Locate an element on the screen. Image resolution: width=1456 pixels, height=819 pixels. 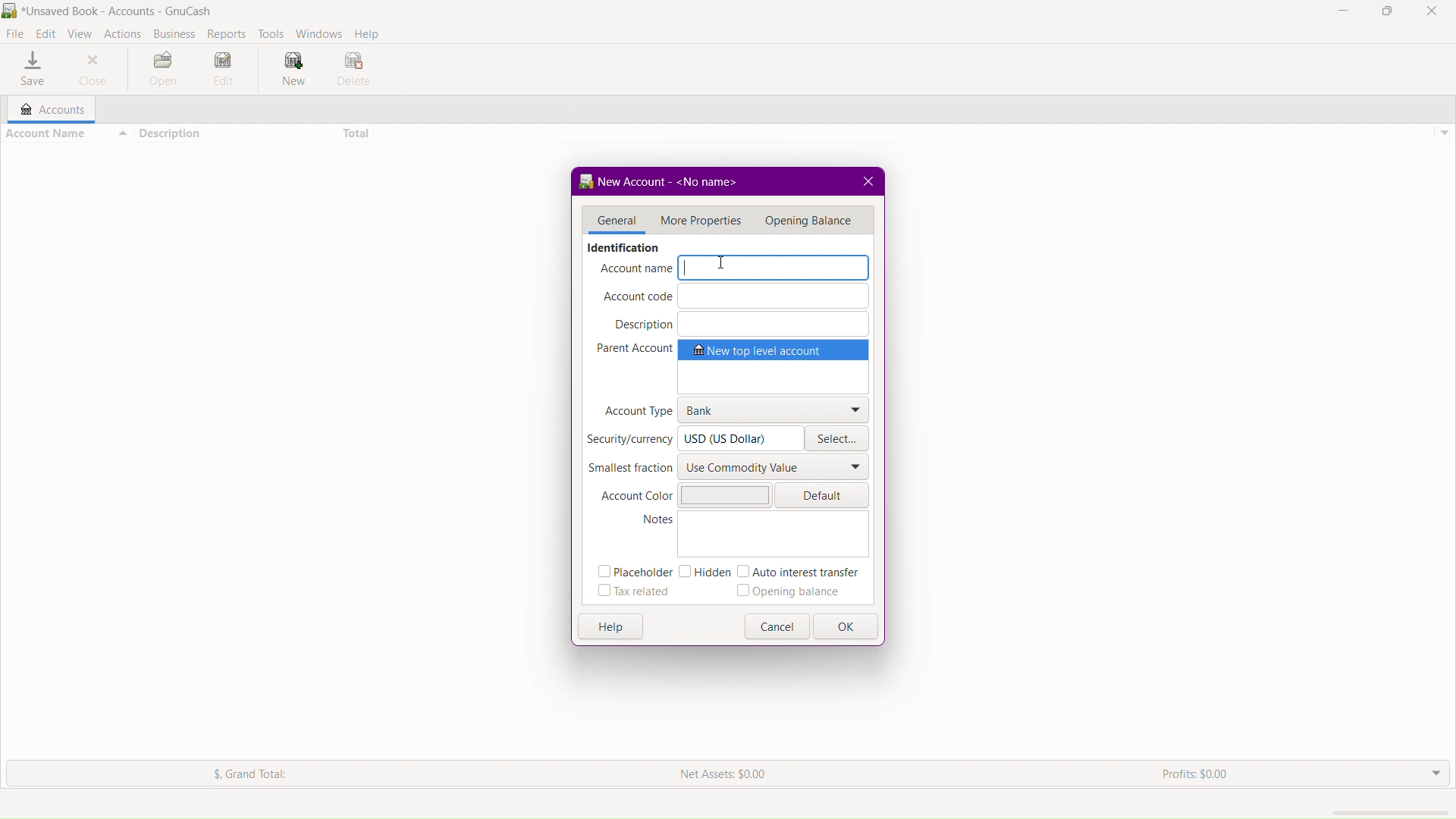
Notes is located at coordinates (753, 535).